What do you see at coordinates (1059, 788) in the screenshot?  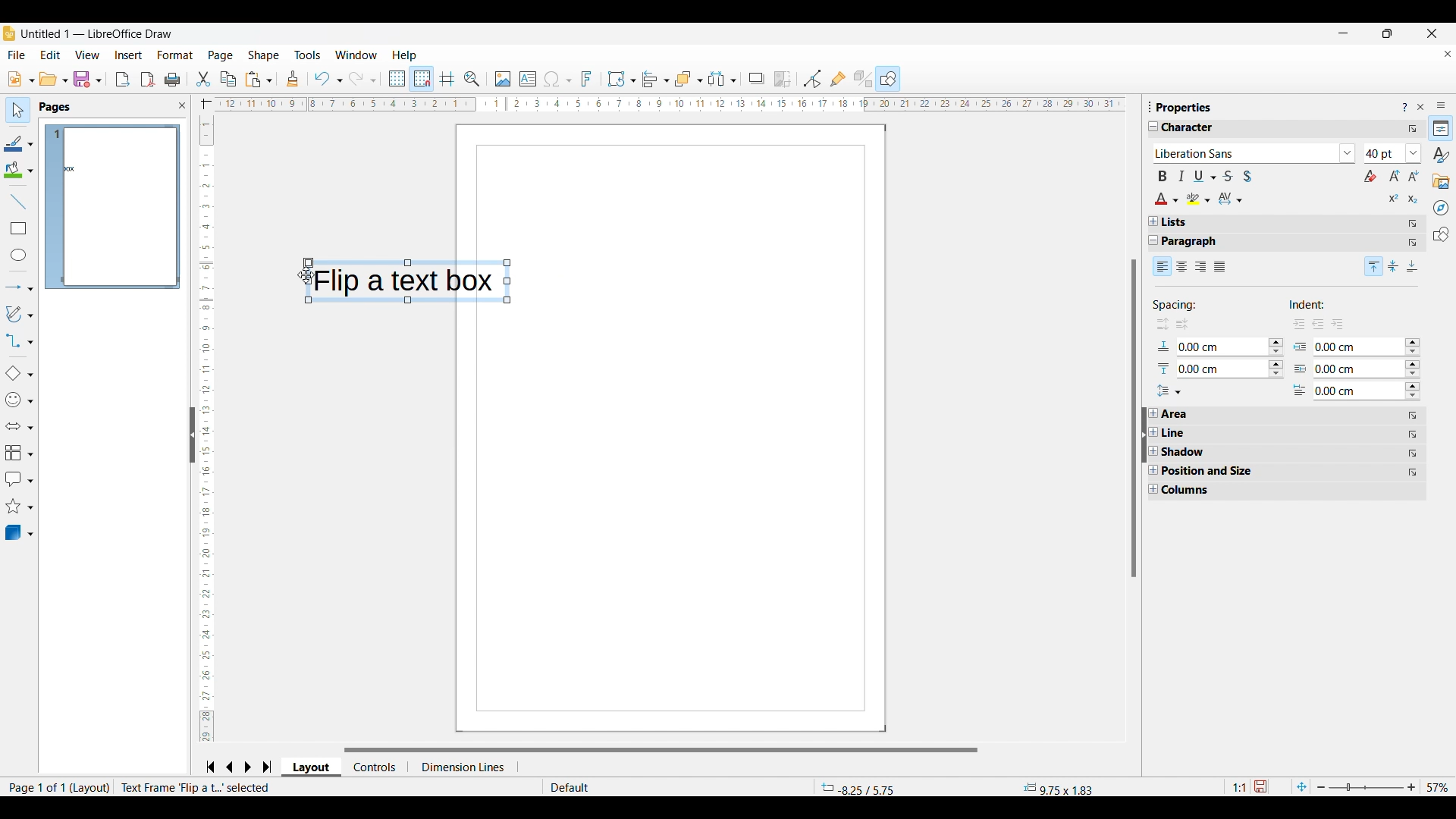 I see `9.75x1.83` at bounding box center [1059, 788].